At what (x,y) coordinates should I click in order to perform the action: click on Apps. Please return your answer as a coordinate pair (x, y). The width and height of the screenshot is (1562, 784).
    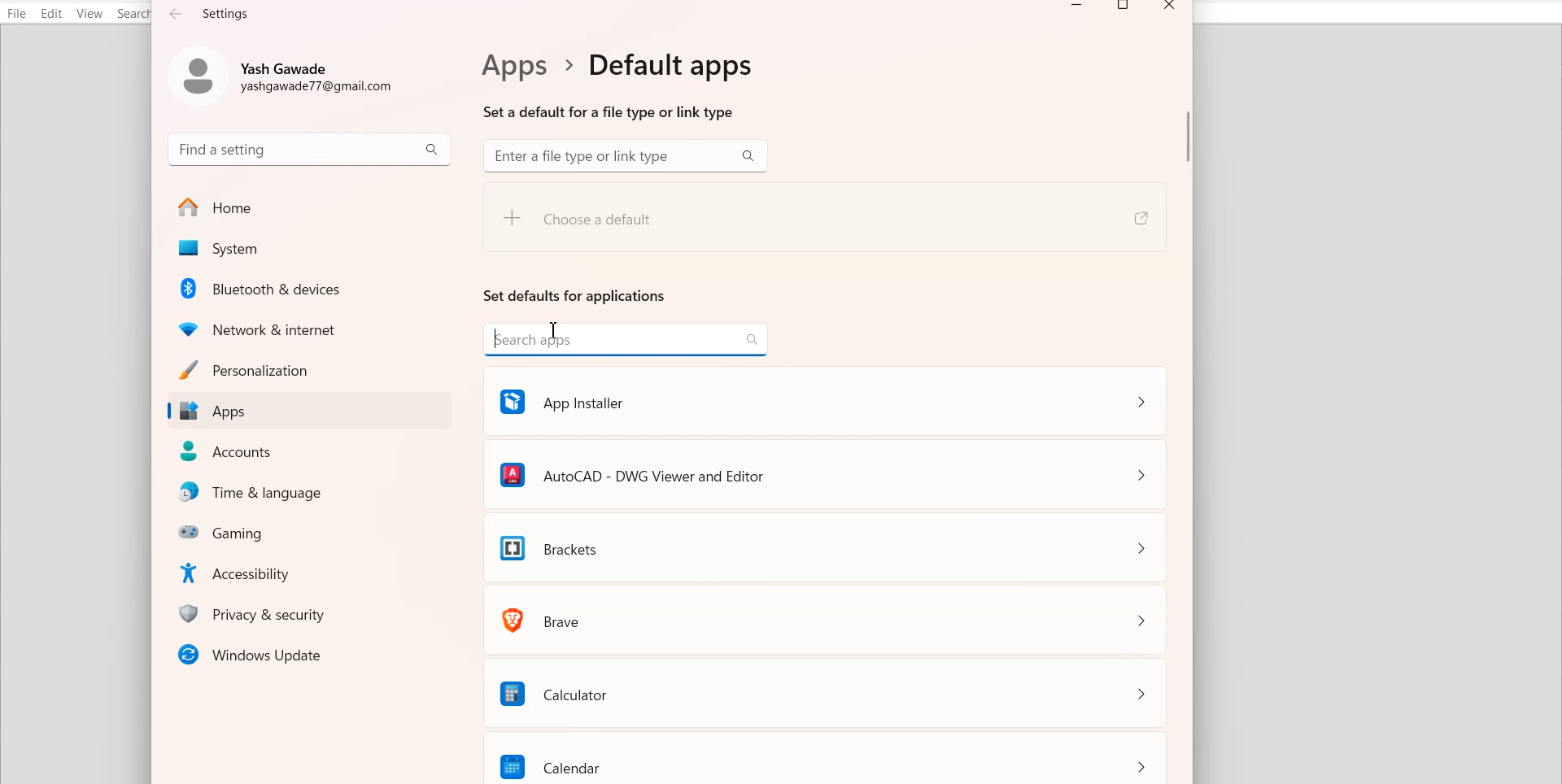
    Looking at the image, I should click on (308, 412).